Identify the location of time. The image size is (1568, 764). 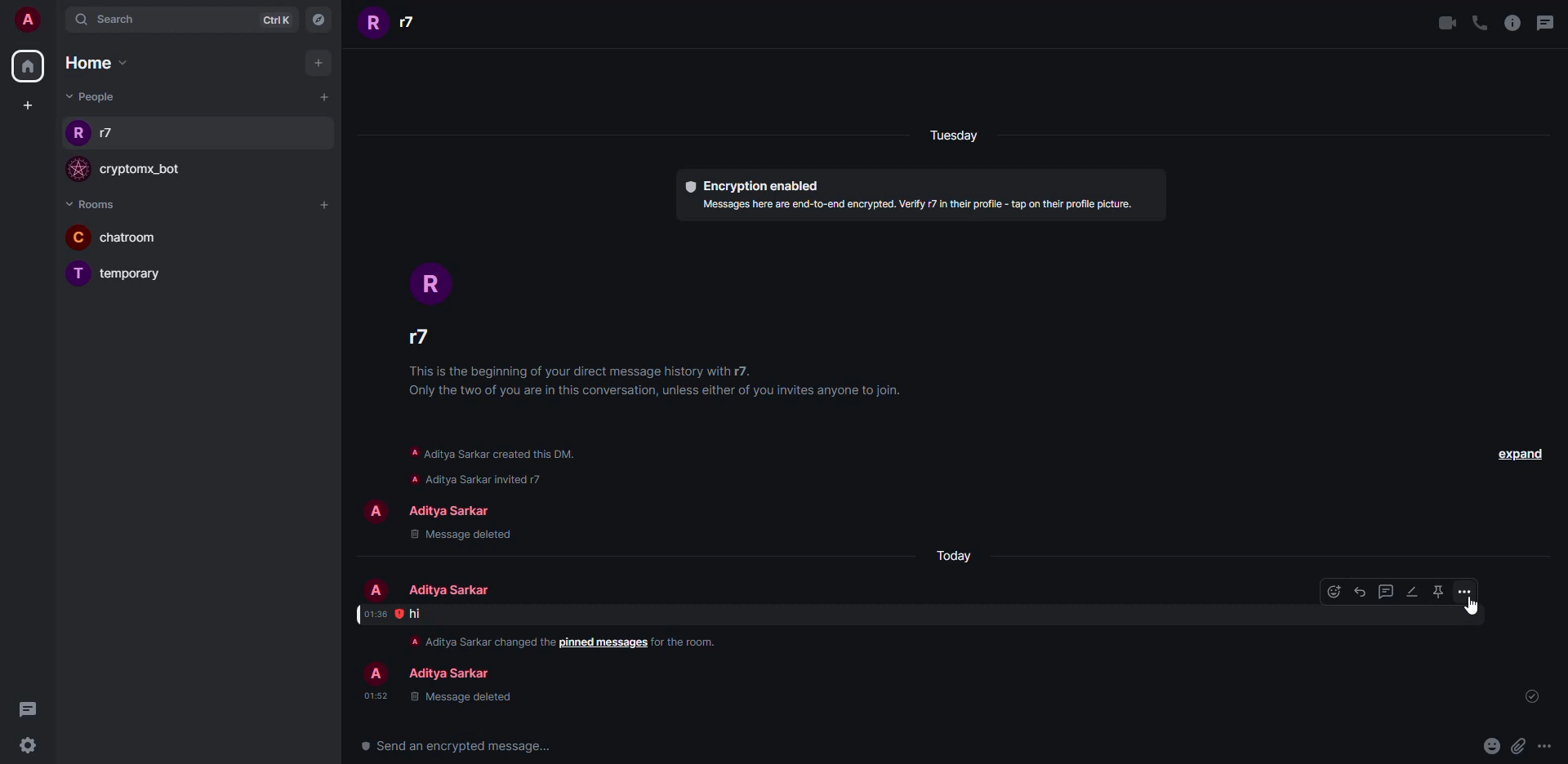
(375, 614).